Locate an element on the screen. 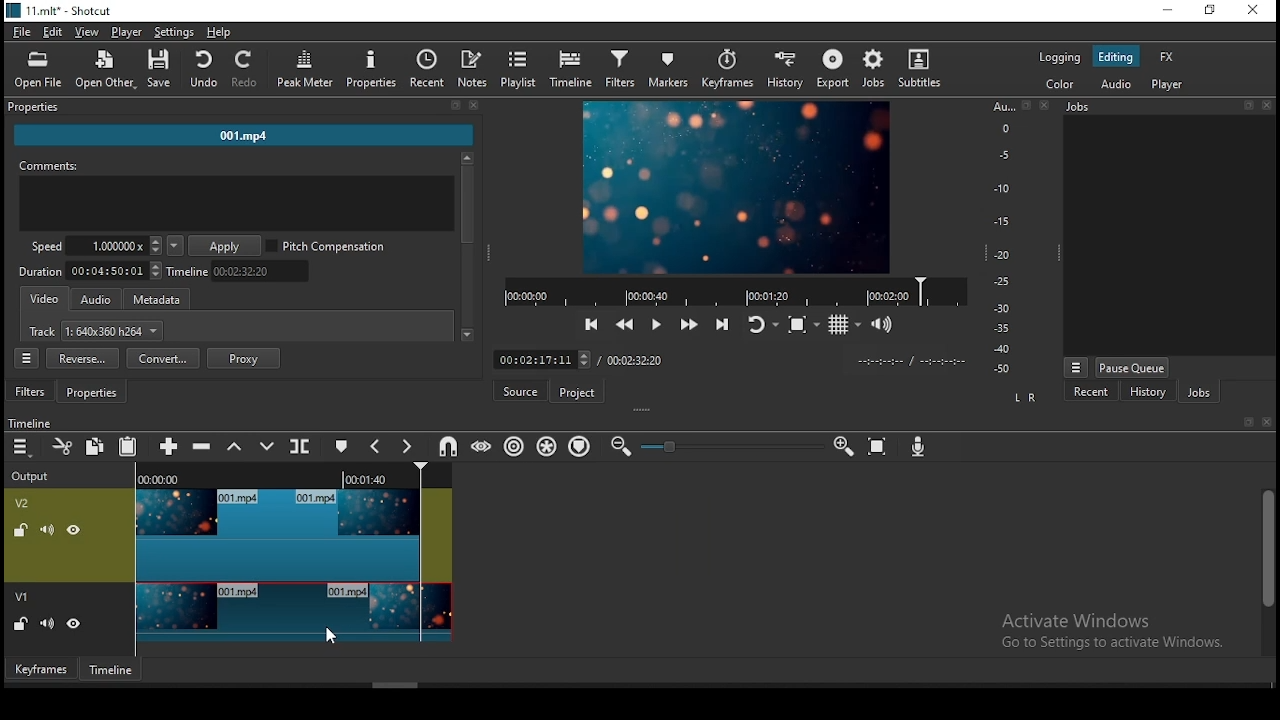 The width and height of the screenshot is (1280, 720). cursor is located at coordinates (331, 636).